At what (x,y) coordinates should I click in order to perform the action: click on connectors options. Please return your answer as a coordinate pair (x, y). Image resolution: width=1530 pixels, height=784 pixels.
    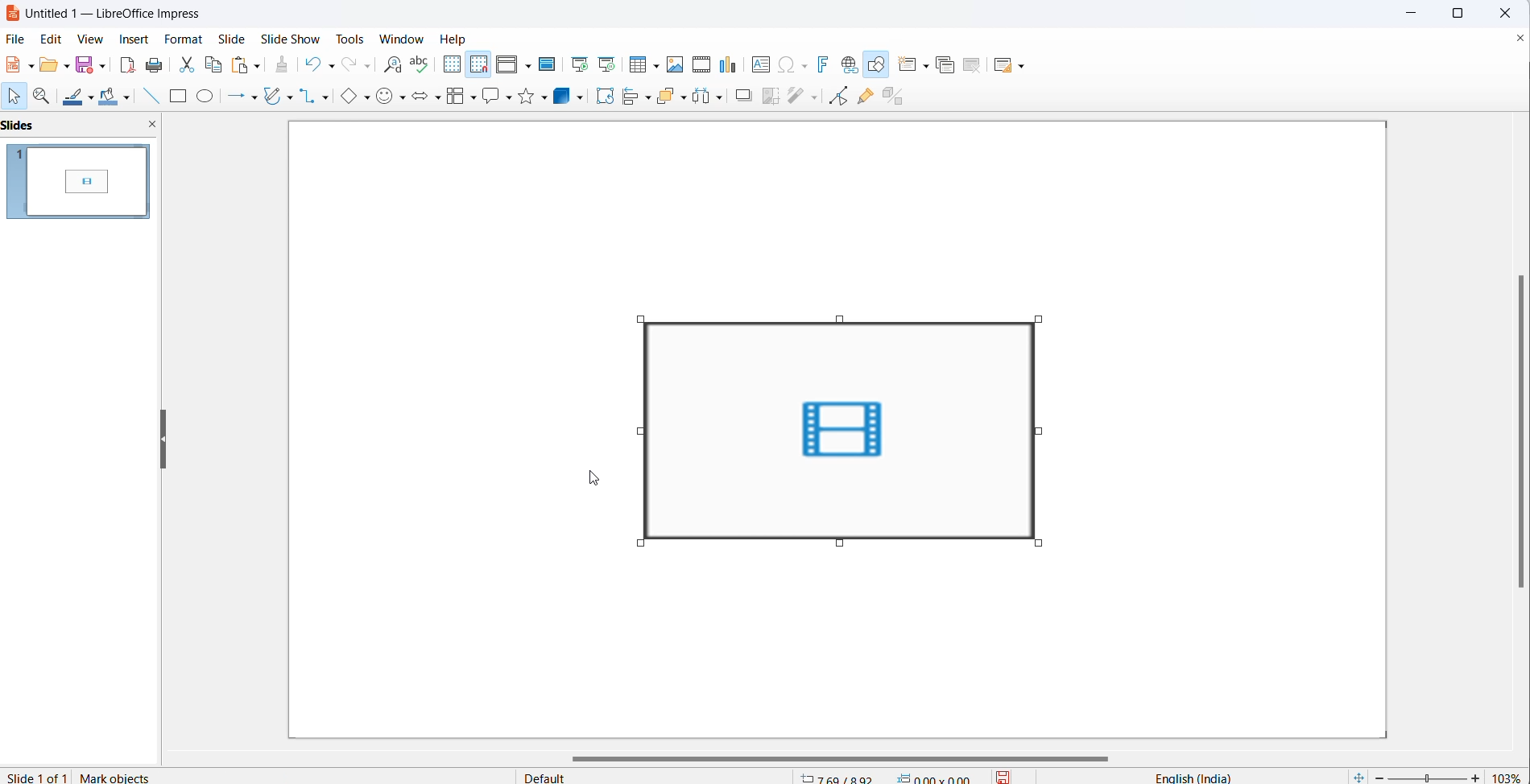
    Looking at the image, I should click on (328, 97).